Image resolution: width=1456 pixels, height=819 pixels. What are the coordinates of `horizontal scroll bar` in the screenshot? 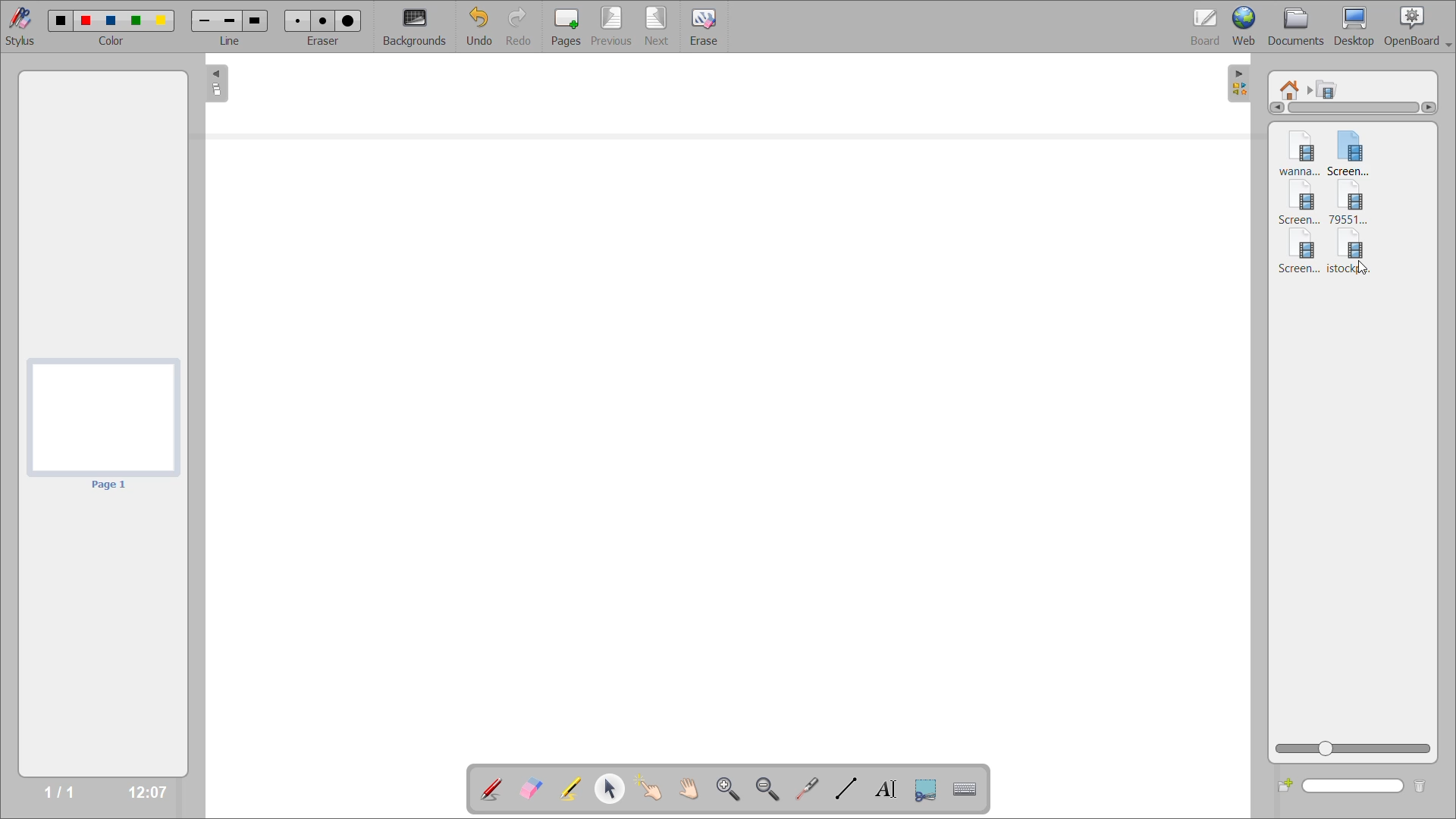 It's located at (1354, 110).